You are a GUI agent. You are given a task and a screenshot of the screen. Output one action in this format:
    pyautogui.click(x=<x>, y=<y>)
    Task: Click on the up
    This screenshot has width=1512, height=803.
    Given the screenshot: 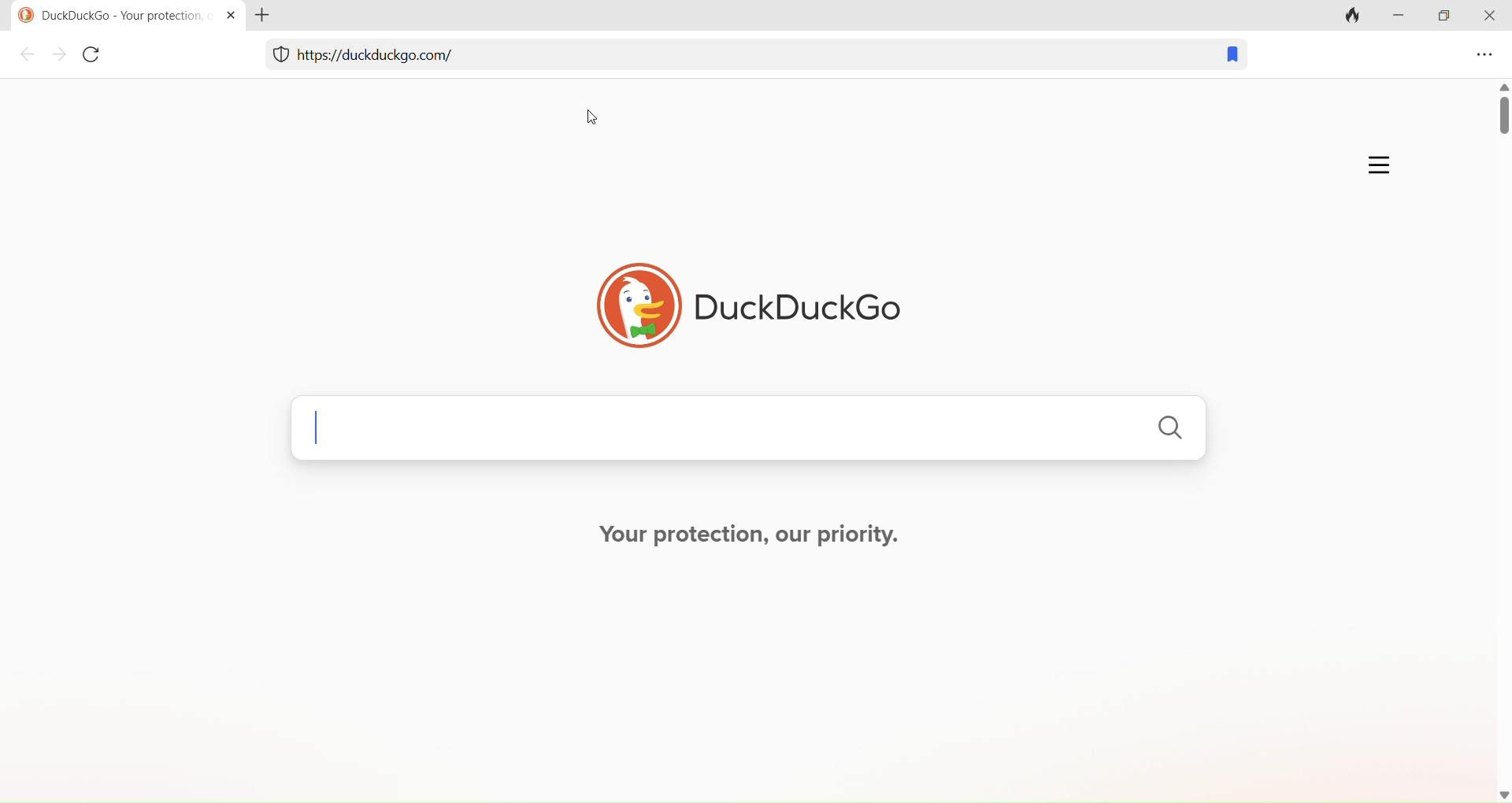 What is the action you would take?
    pyautogui.click(x=1502, y=84)
    